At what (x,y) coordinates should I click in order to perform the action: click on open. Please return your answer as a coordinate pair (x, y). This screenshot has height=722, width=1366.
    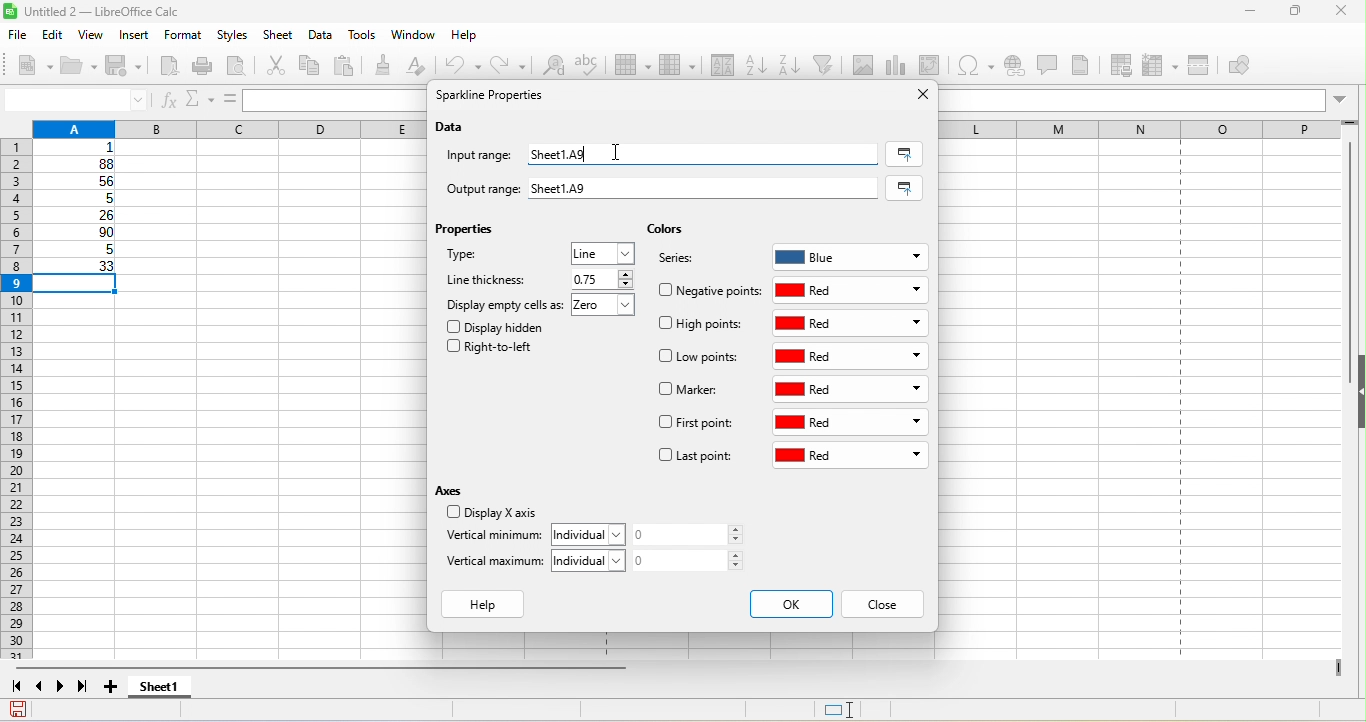
    Looking at the image, I should click on (80, 67).